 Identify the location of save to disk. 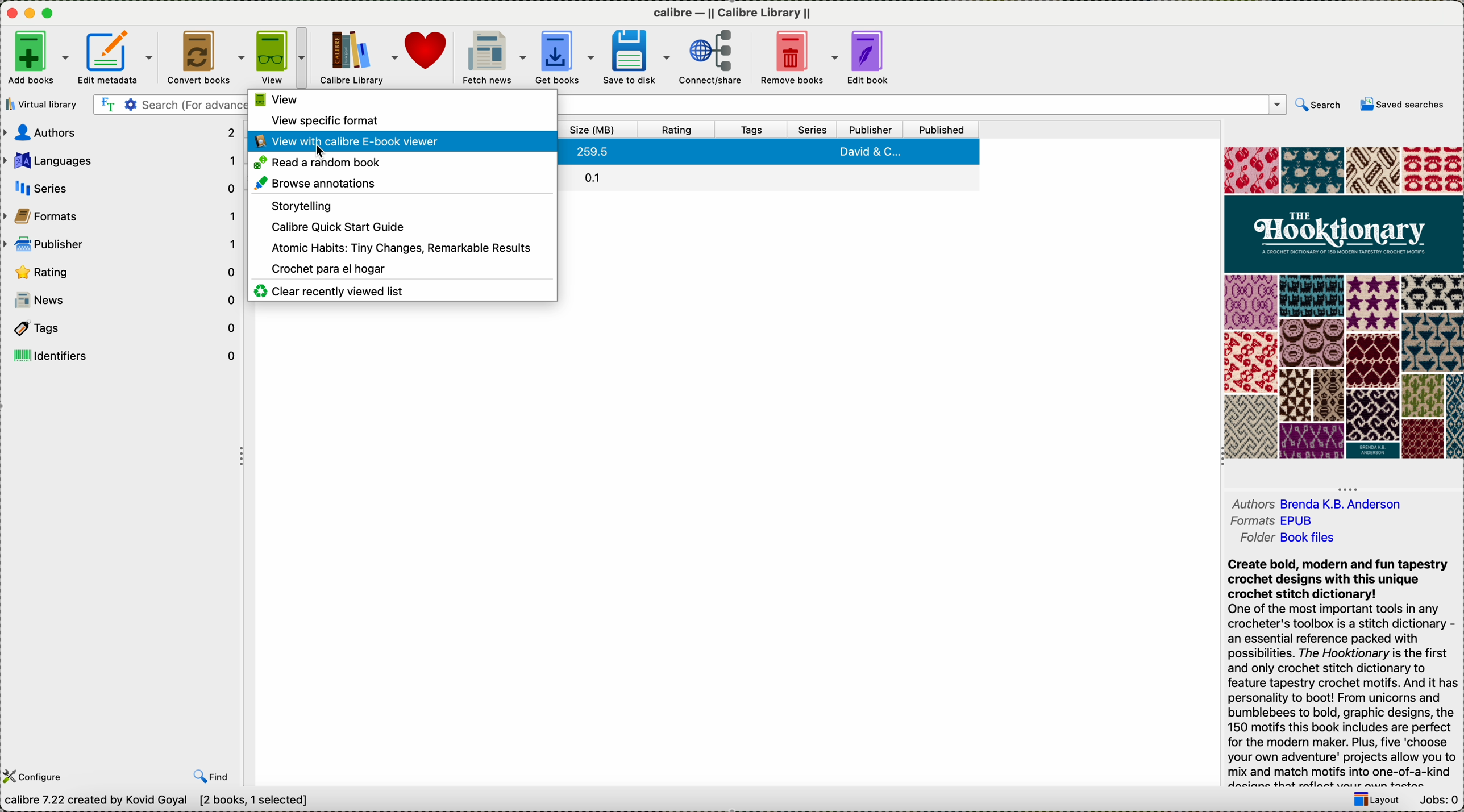
(636, 56).